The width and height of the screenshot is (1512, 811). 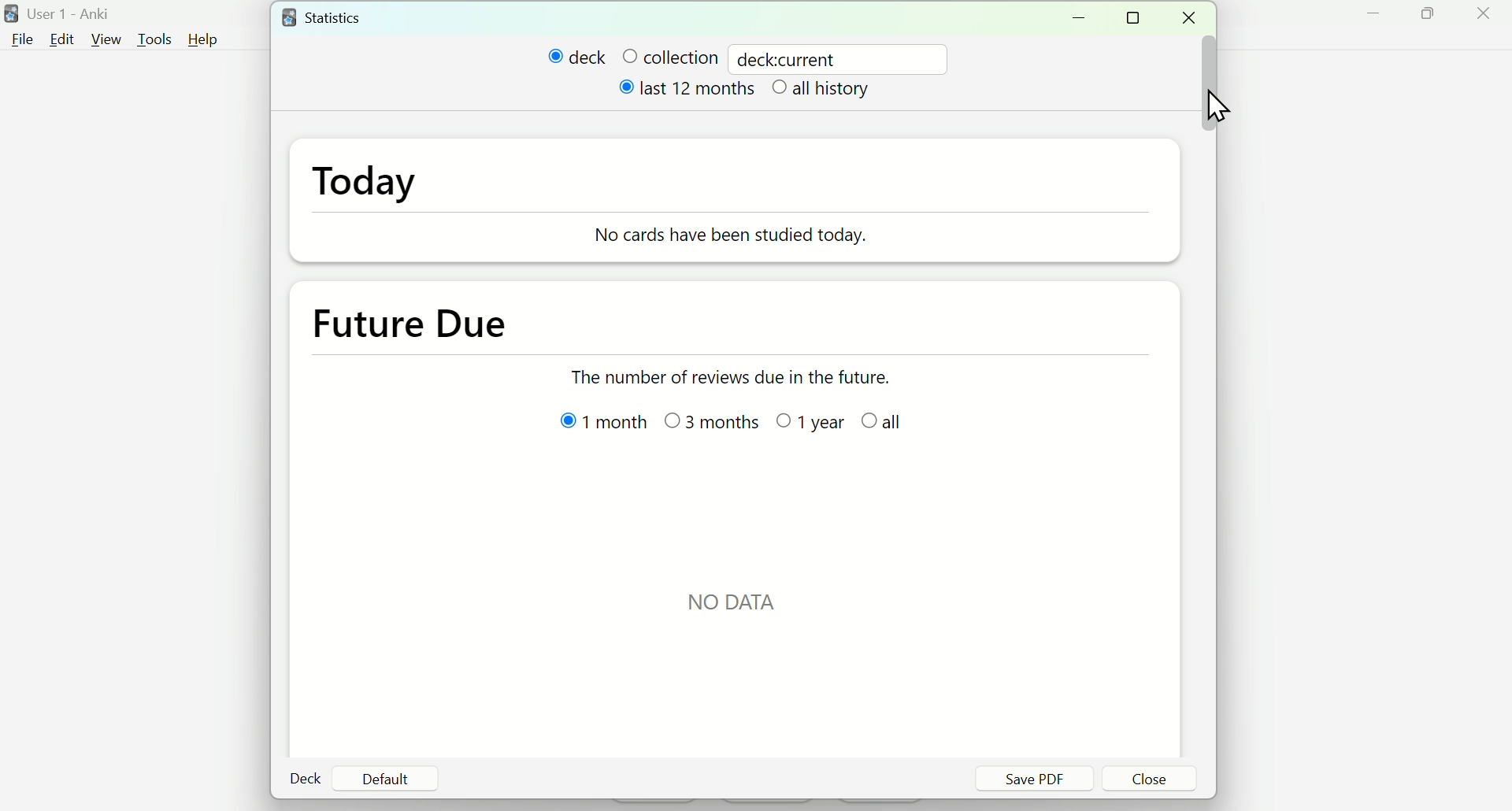 What do you see at coordinates (385, 779) in the screenshot?
I see `Default` at bounding box center [385, 779].